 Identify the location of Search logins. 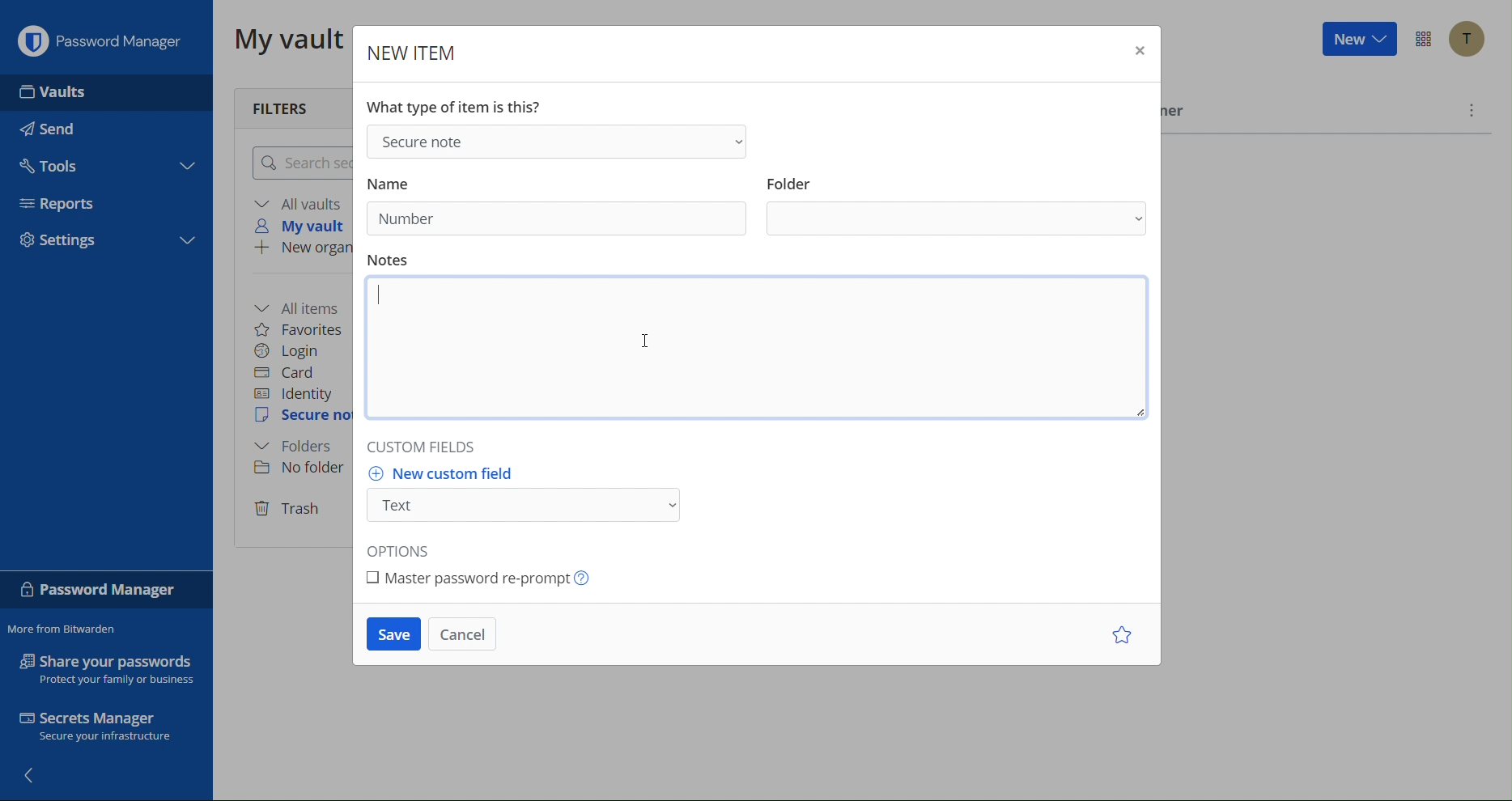
(299, 163).